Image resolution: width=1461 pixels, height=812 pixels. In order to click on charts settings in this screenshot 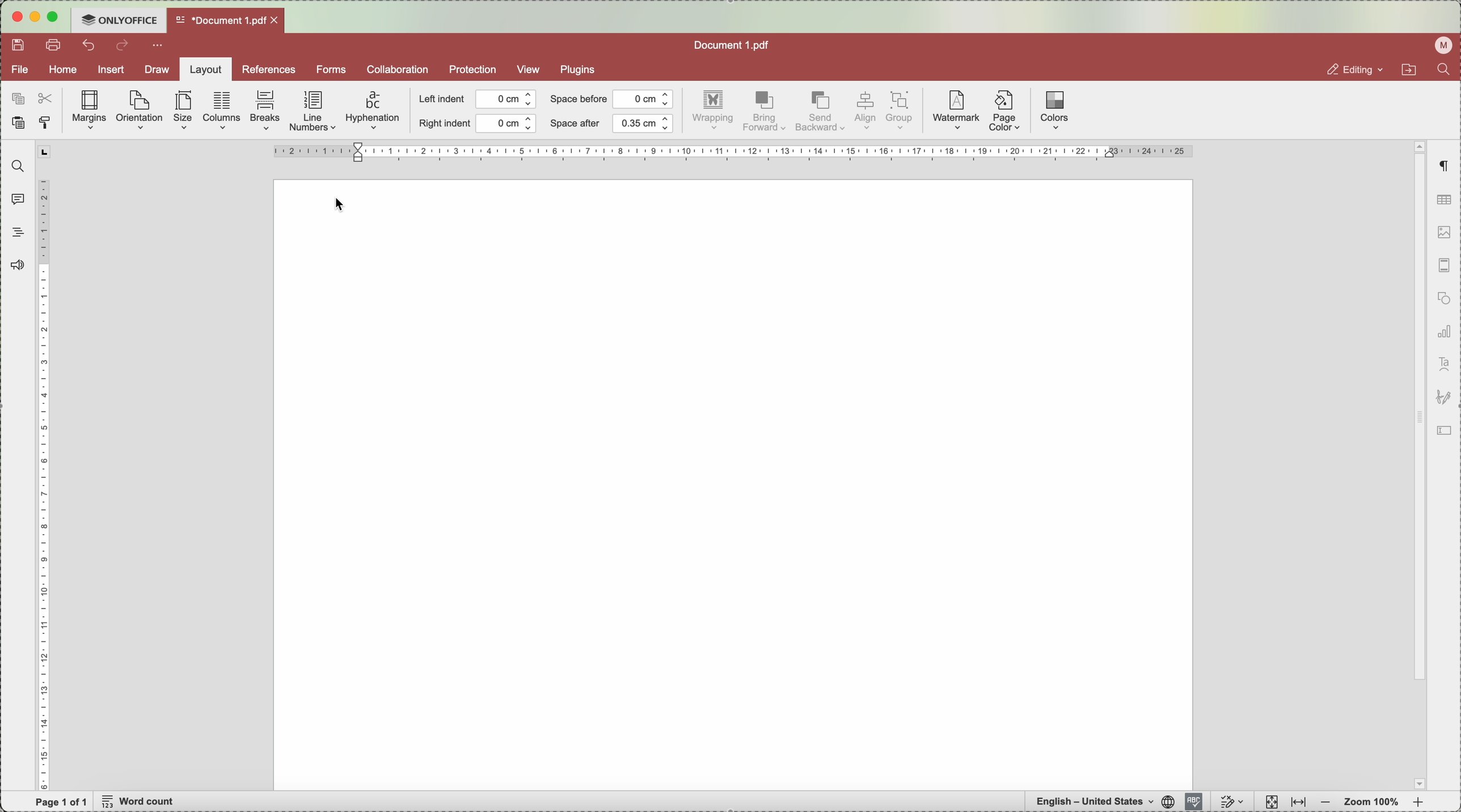, I will do `click(1443, 333)`.